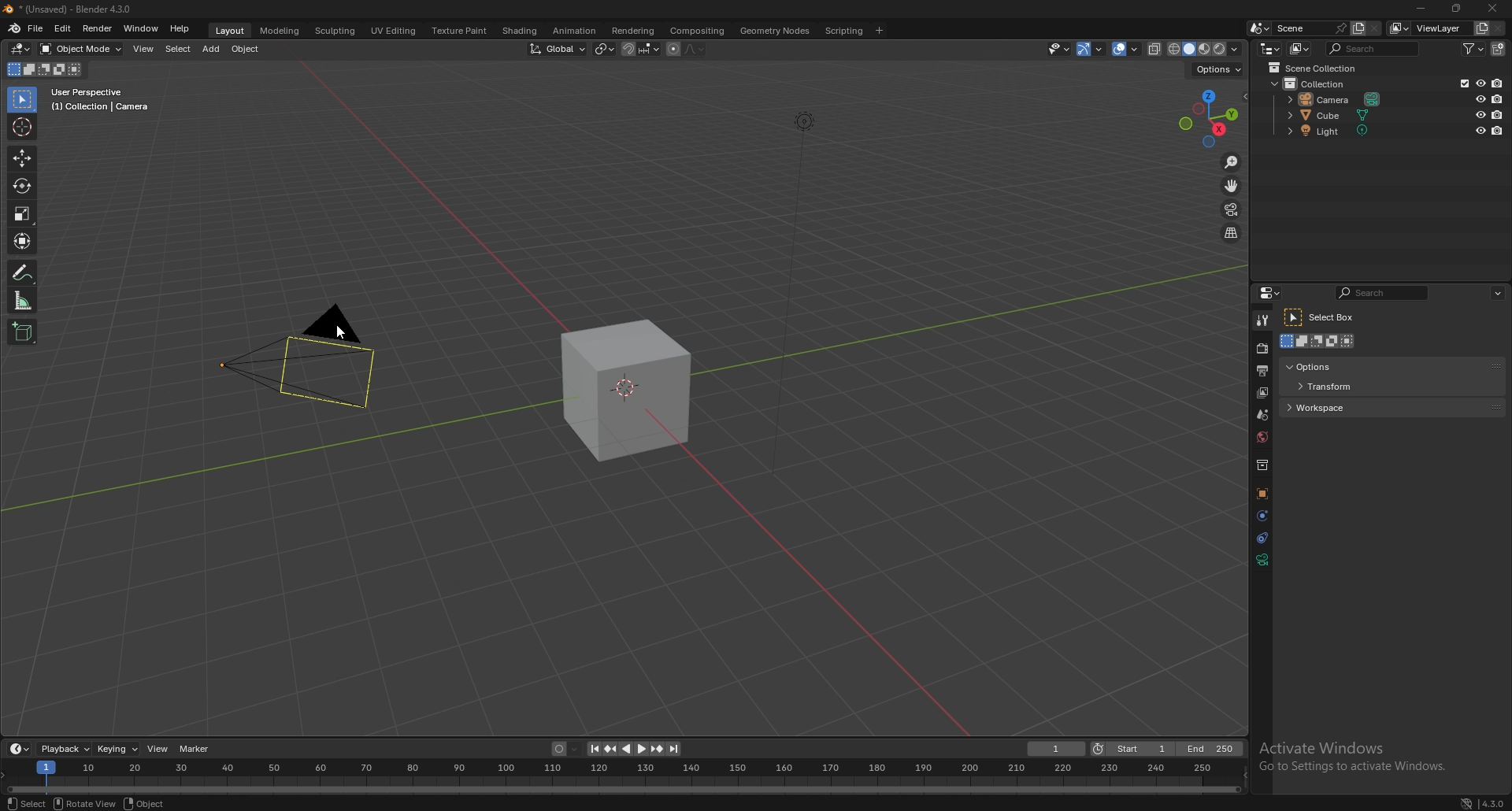 The image size is (1512, 811). Describe the element at coordinates (1262, 537) in the screenshot. I see `constraints` at that location.